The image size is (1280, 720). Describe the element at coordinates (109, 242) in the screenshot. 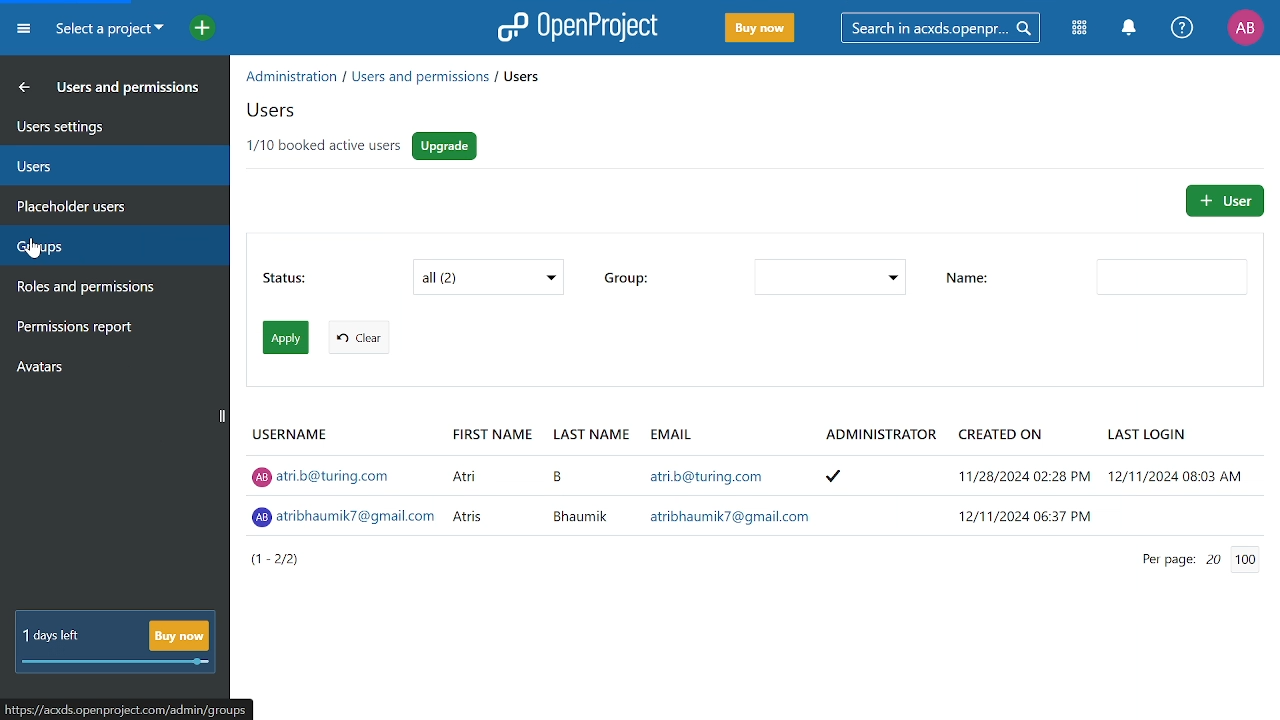

I see `Groups` at that location.